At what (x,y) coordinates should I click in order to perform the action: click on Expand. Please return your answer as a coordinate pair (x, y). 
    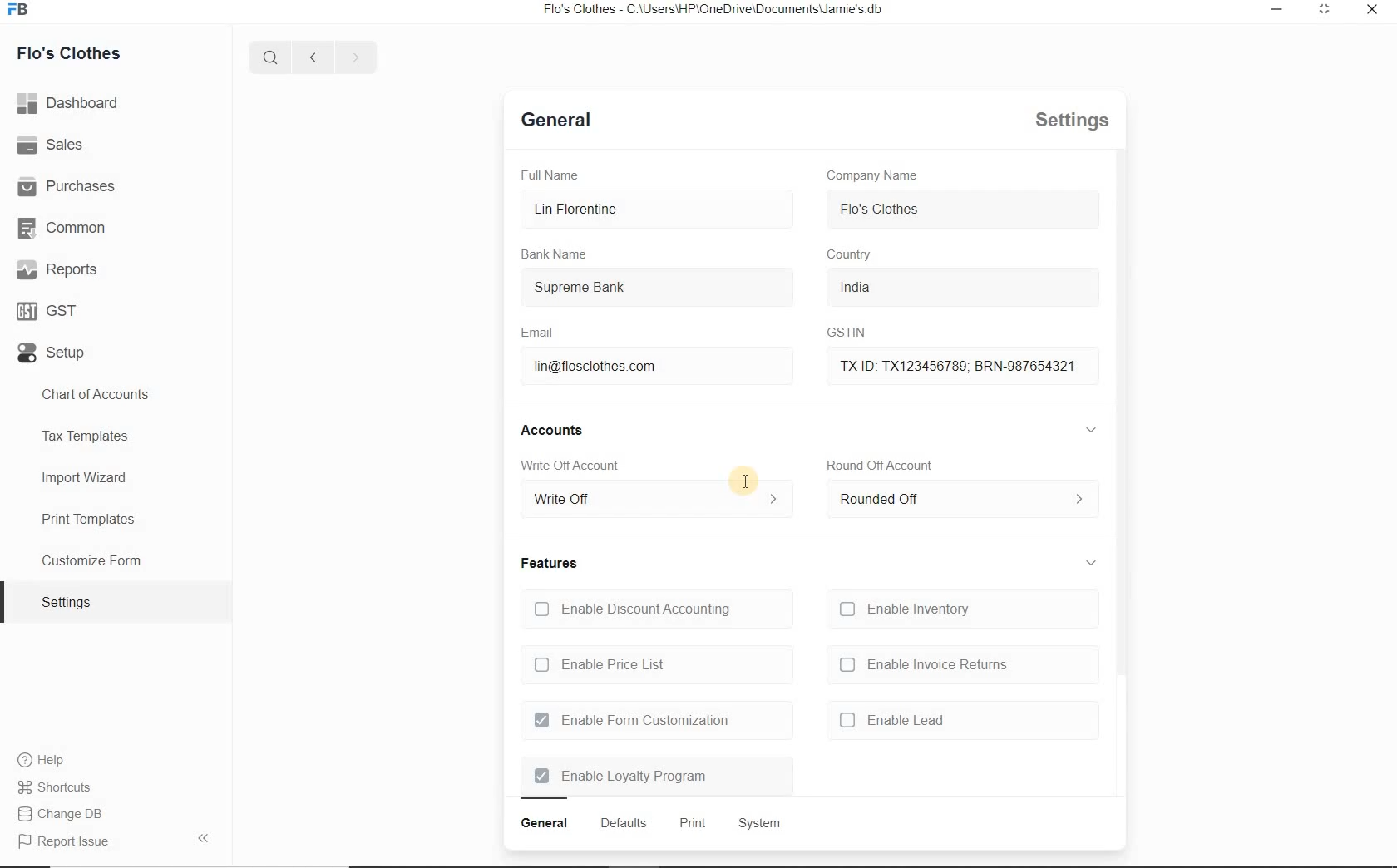
    Looking at the image, I should click on (1094, 560).